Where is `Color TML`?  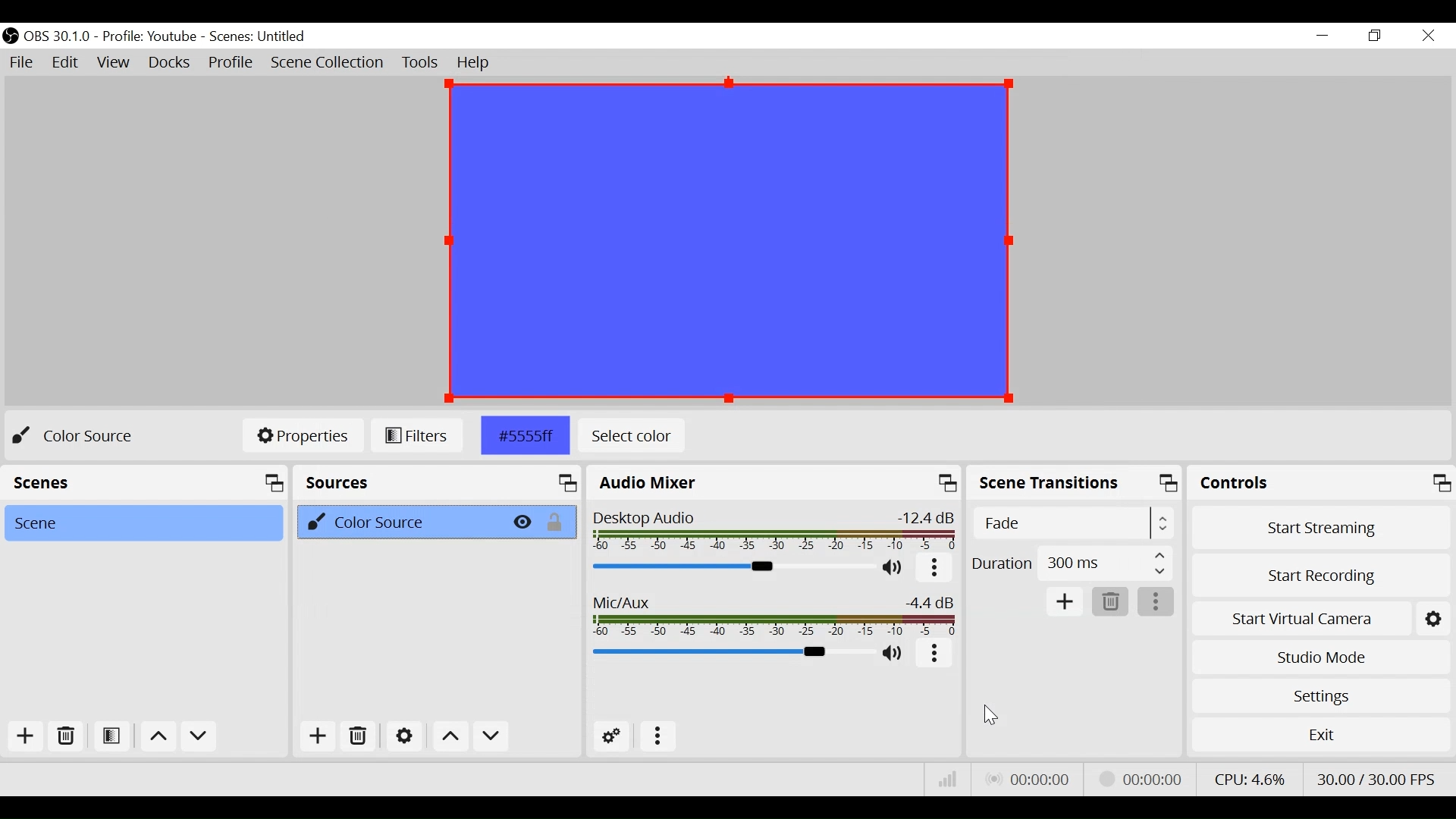 Color TML is located at coordinates (526, 434).